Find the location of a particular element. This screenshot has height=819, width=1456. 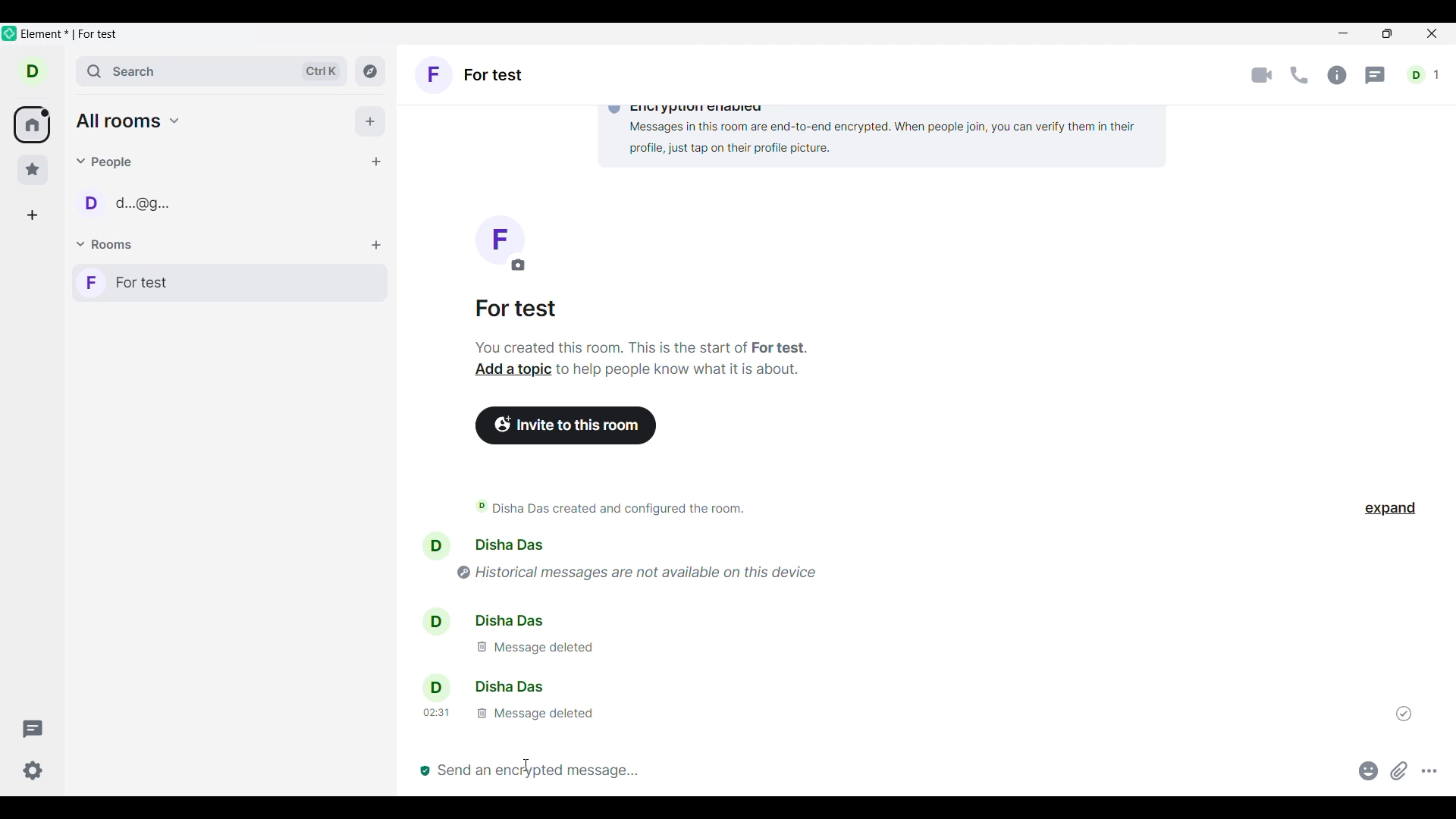

disha das is located at coordinates (515, 544).